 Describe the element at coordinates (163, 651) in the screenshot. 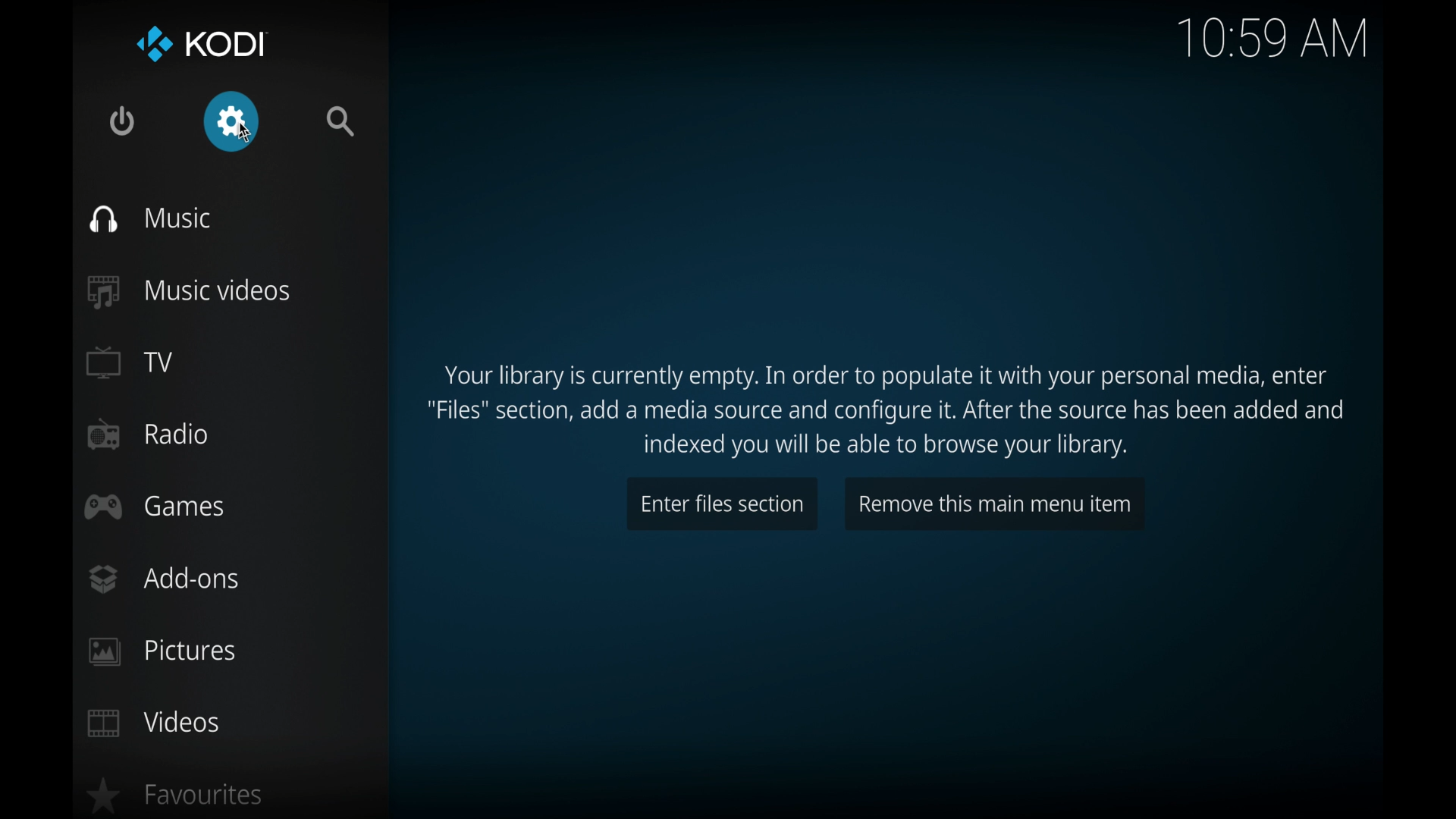

I see `pictures` at that location.